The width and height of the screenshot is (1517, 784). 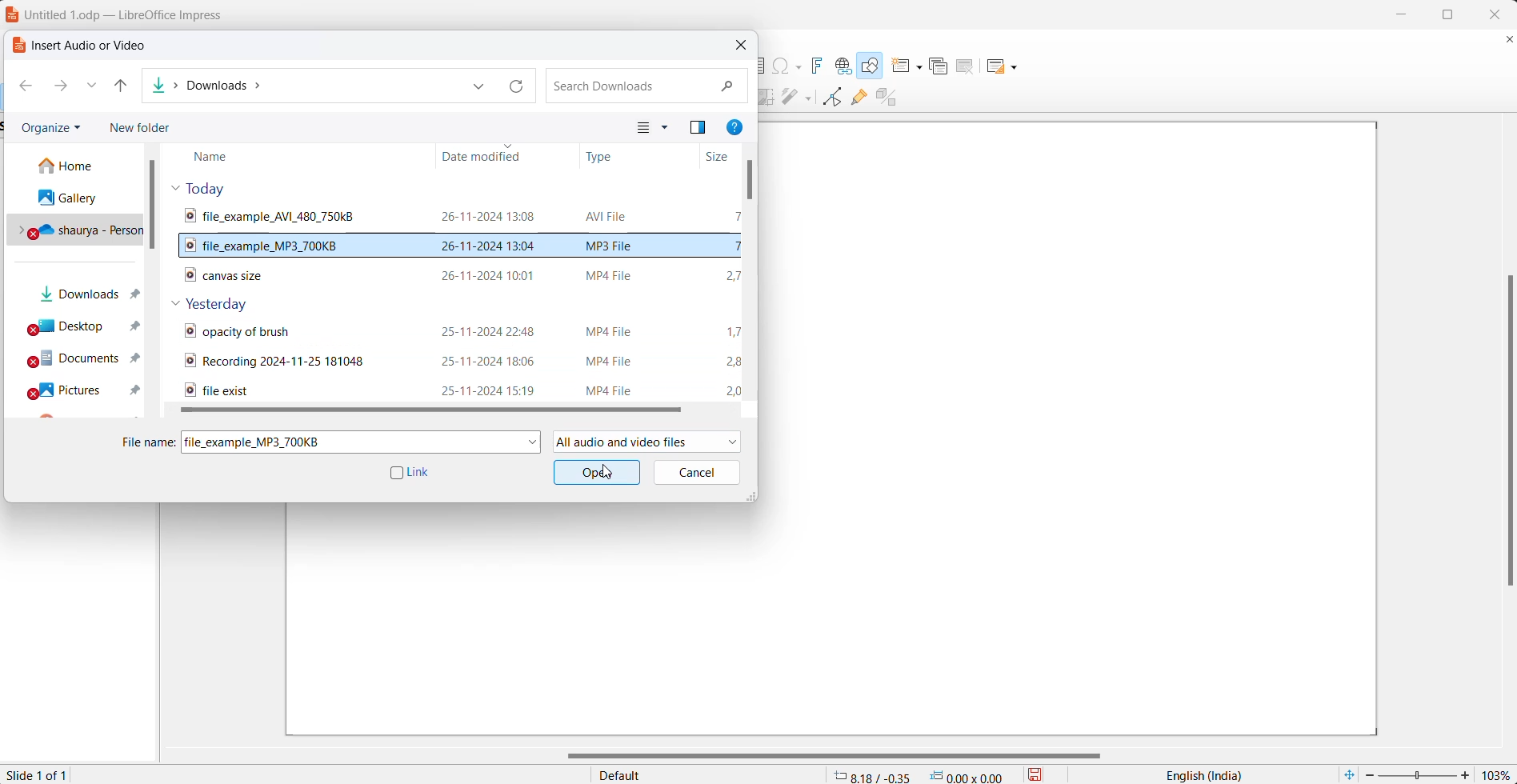 What do you see at coordinates (1367, 775) in the screenshot?
I see `decrease zoom` at bounding box center [1367, 775].